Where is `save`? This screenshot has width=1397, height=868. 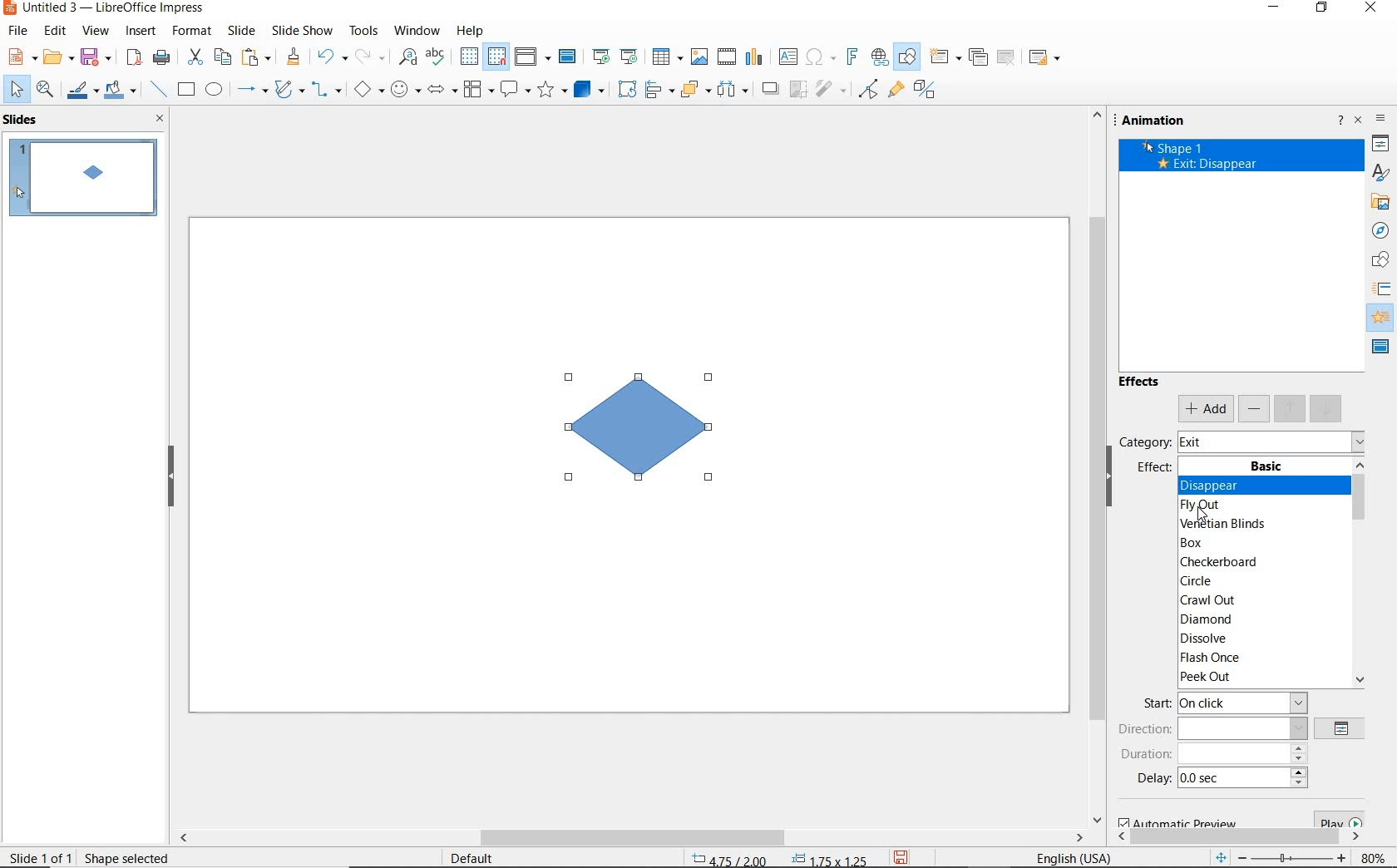 save is located at coordinates (903, 857).